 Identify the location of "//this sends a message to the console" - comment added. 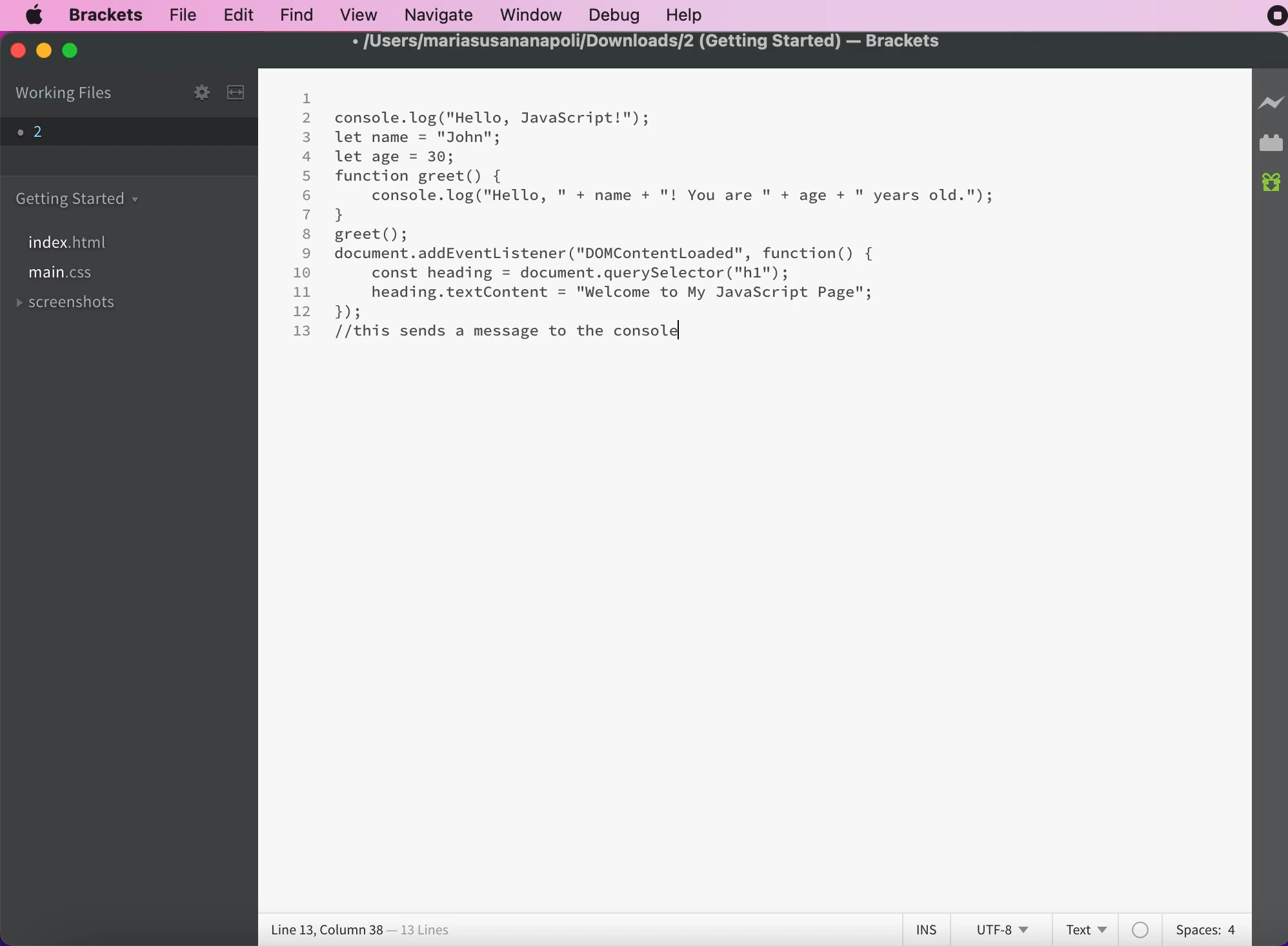
(508, 331).